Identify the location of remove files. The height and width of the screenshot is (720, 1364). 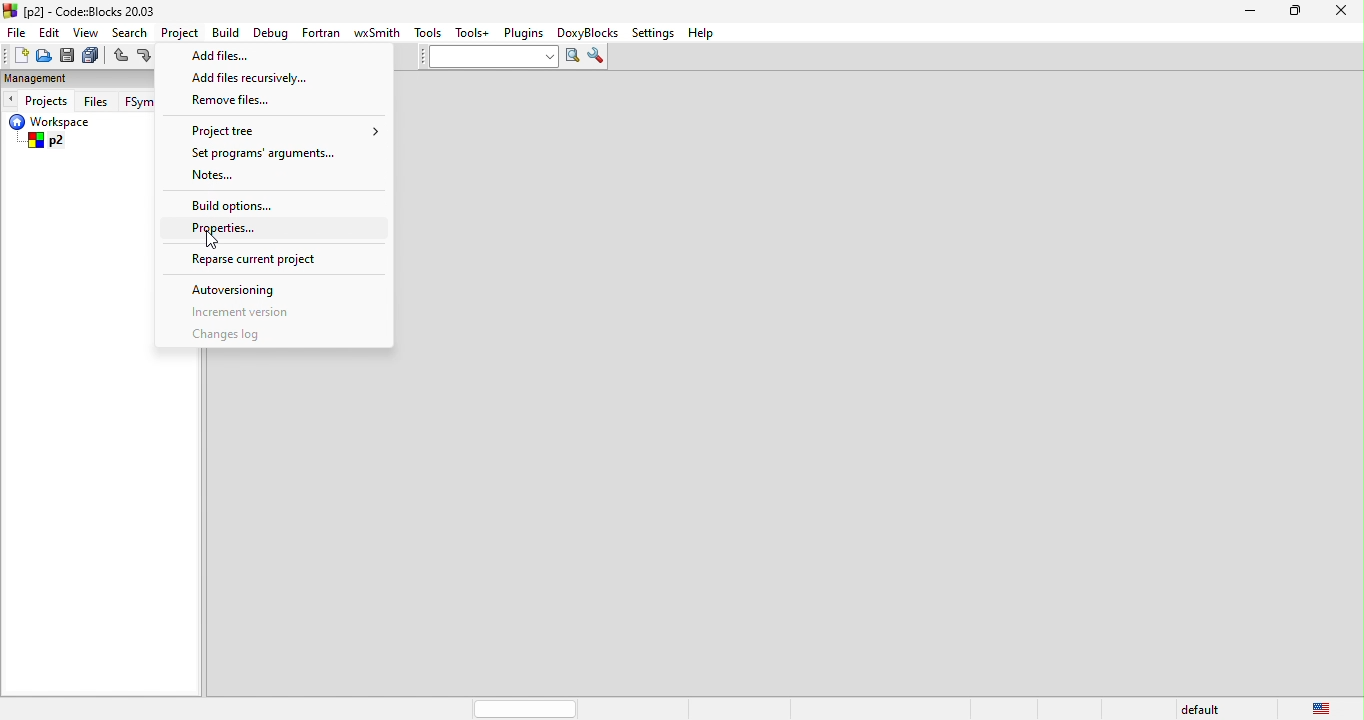
(233, 100).